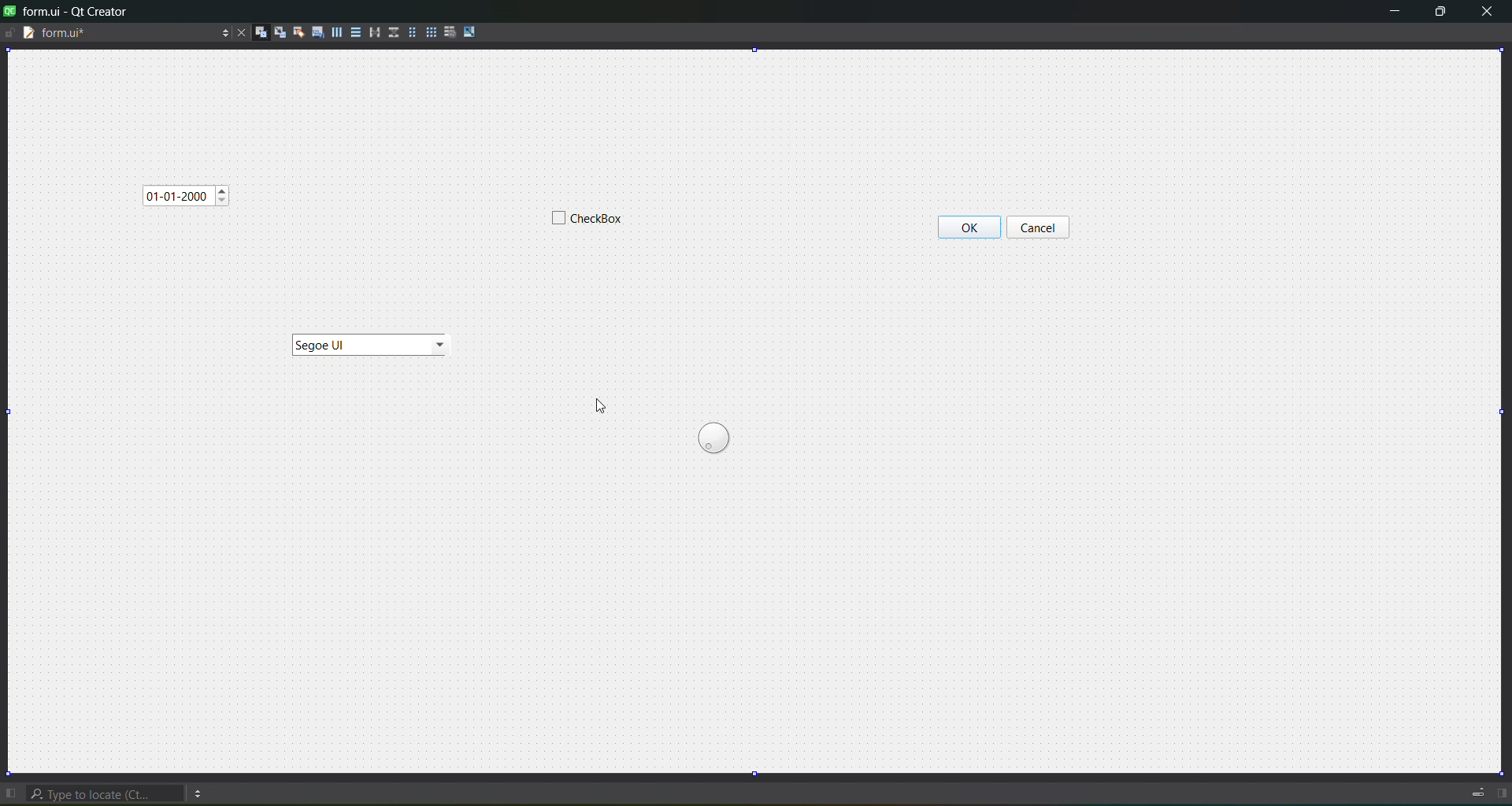 This screenshot has height=806, width=1512. What do you see at coordinates (393, 33) in the screenshot?
I see `vertical splitter` at bounding box center [393, 33].